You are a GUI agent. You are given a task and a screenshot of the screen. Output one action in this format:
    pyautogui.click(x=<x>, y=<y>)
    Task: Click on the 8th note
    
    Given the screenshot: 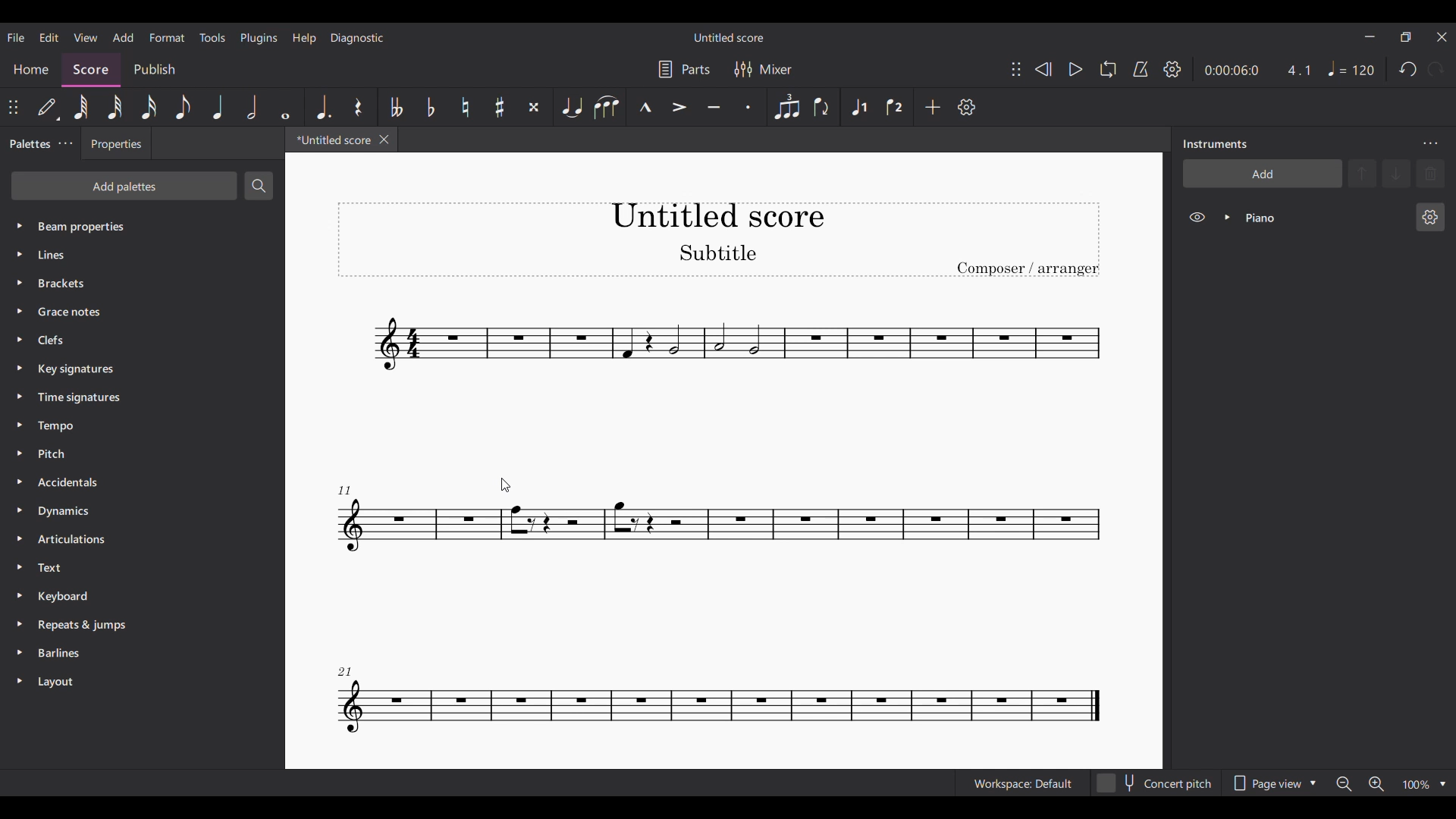 What is the action you would take?
    pyautogui.click(x=183, y=107)
    